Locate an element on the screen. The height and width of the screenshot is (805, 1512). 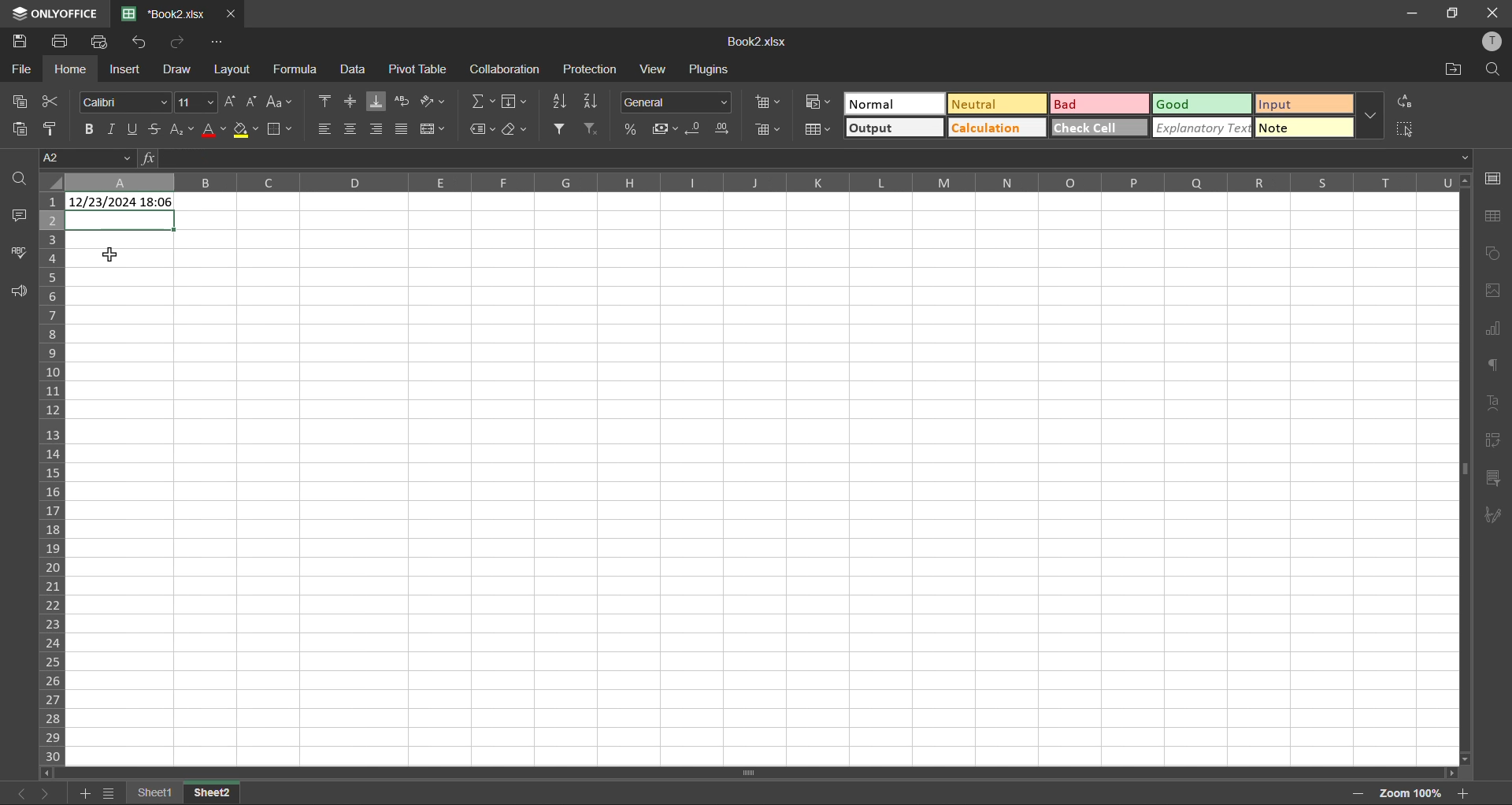
replace is located at coordinates (1405, 103).